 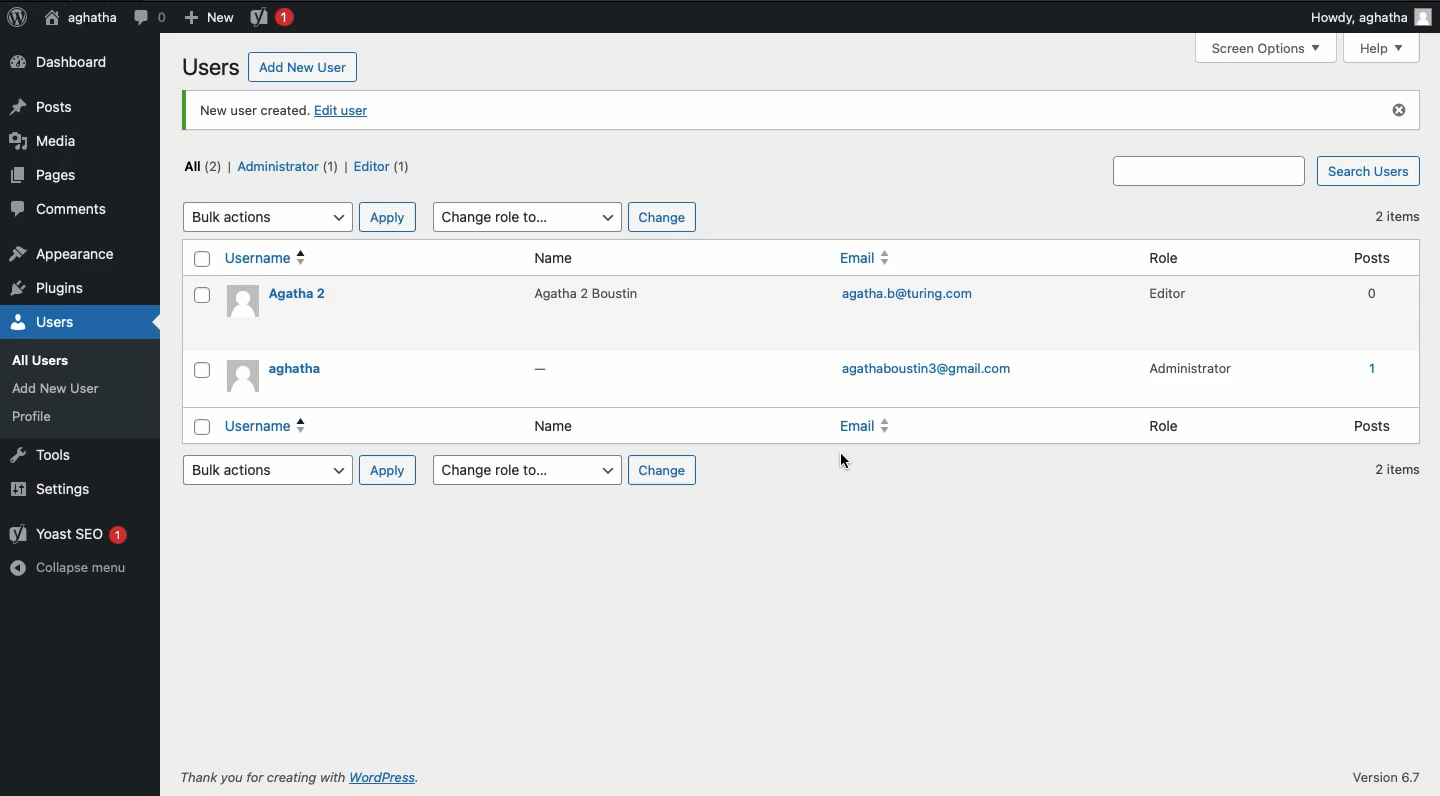 What do you see at coordinates (301, 67) in the screenshot?
I see `Add new user` at bounding box center [301, 67].